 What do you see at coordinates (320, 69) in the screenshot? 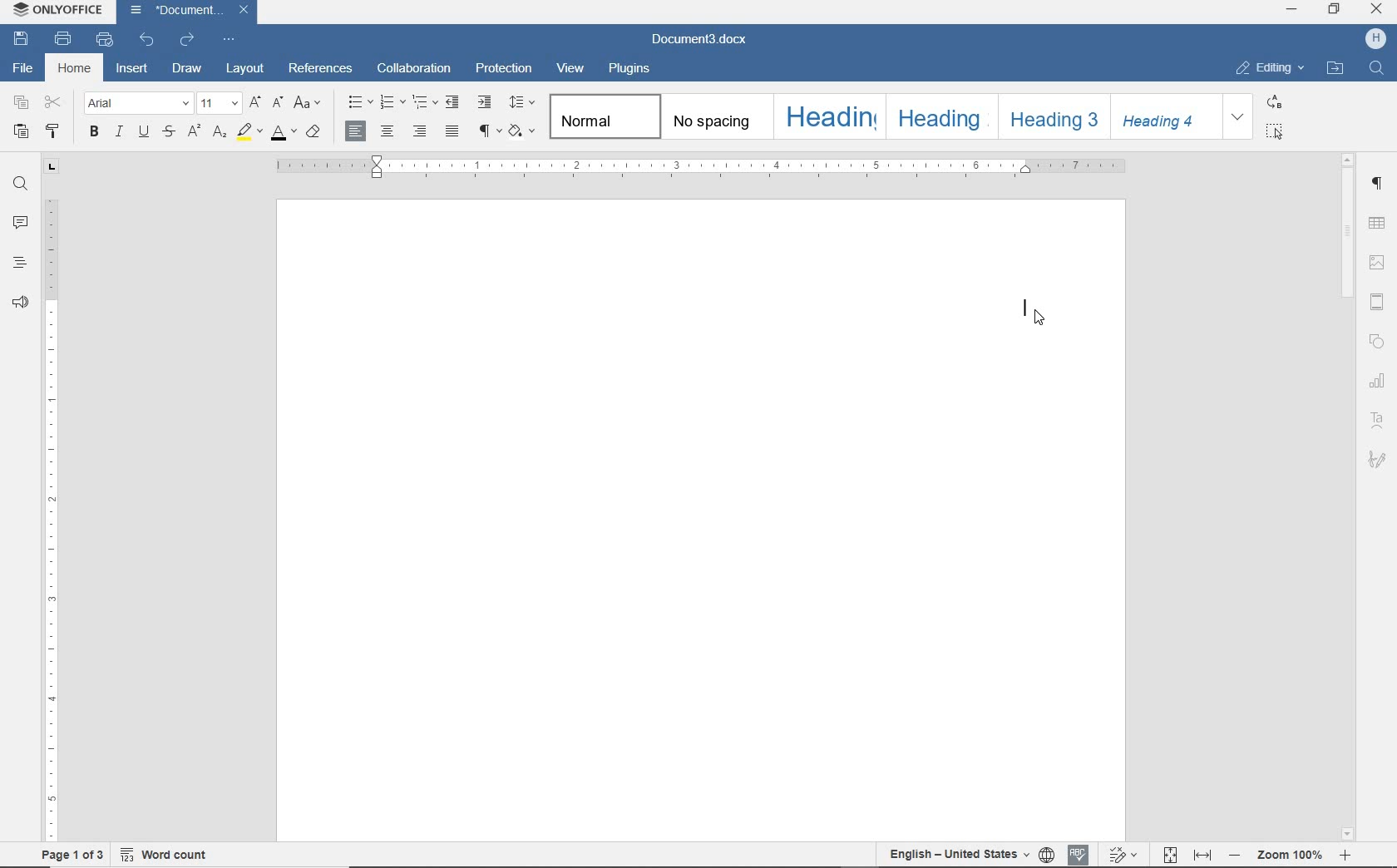
I see `REFERENCES` at bounding box center [320, 69].